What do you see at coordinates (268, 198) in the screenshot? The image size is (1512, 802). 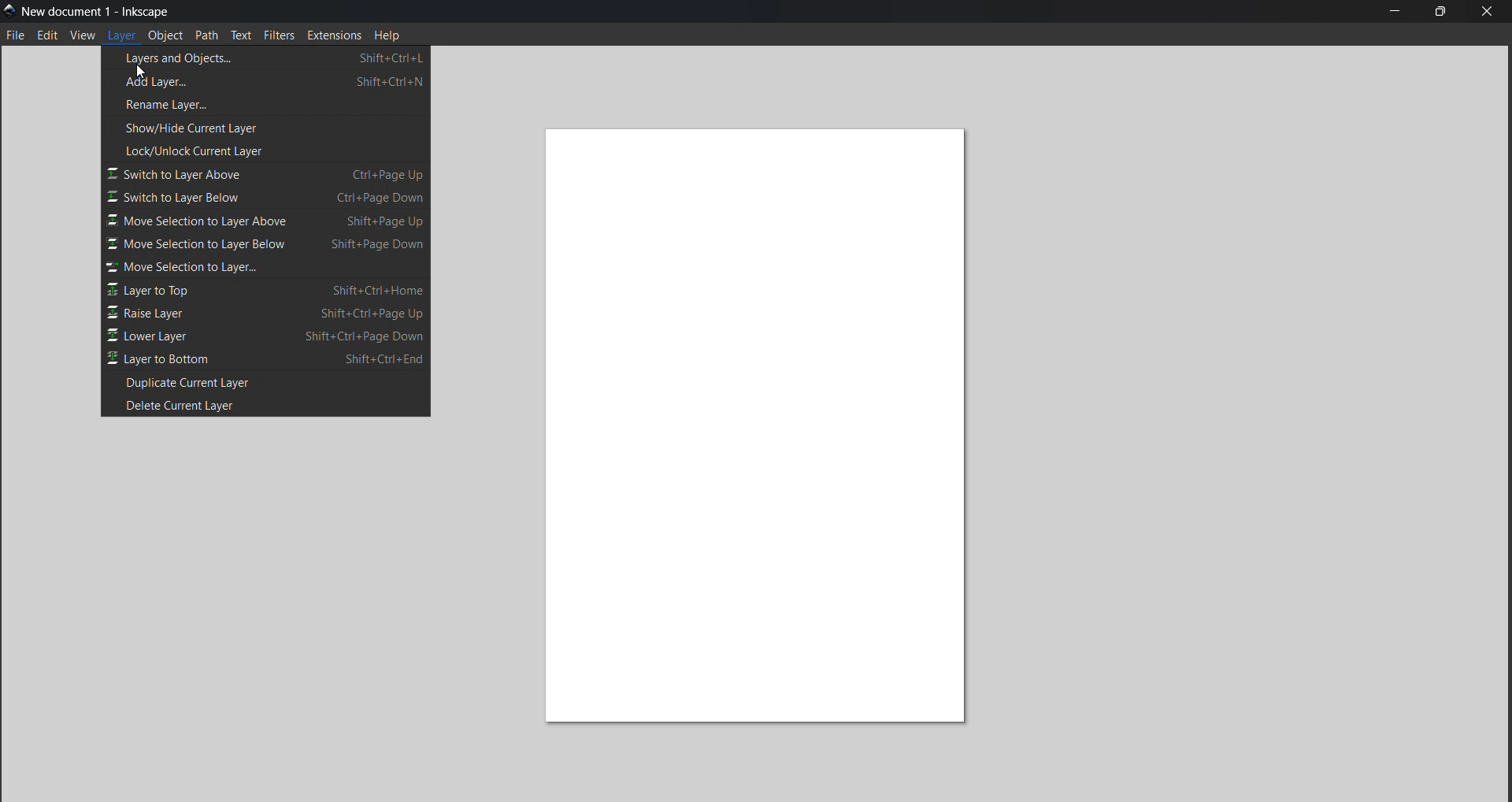 I see `switch to layer below` at bounding box center [268, 198].